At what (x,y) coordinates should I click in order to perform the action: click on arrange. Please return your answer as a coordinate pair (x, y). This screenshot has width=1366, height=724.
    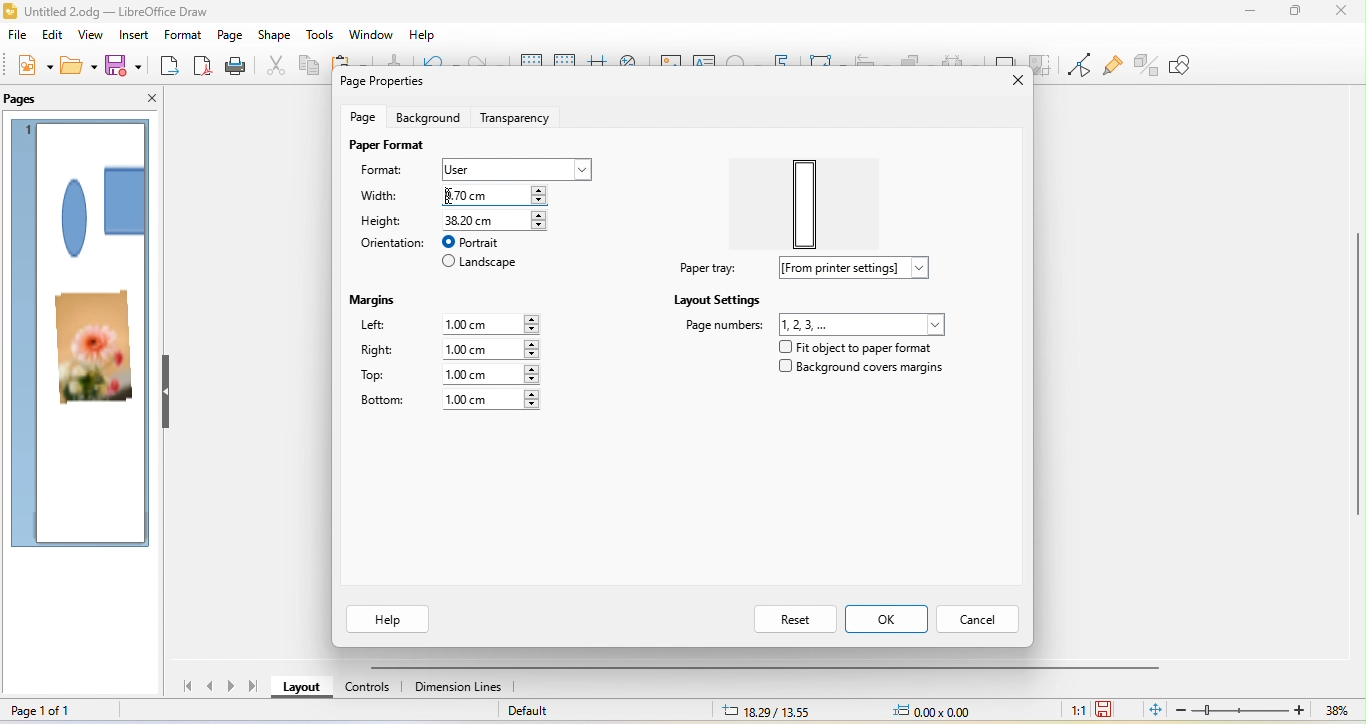
    Looking at the image, I should click on (921, 57).